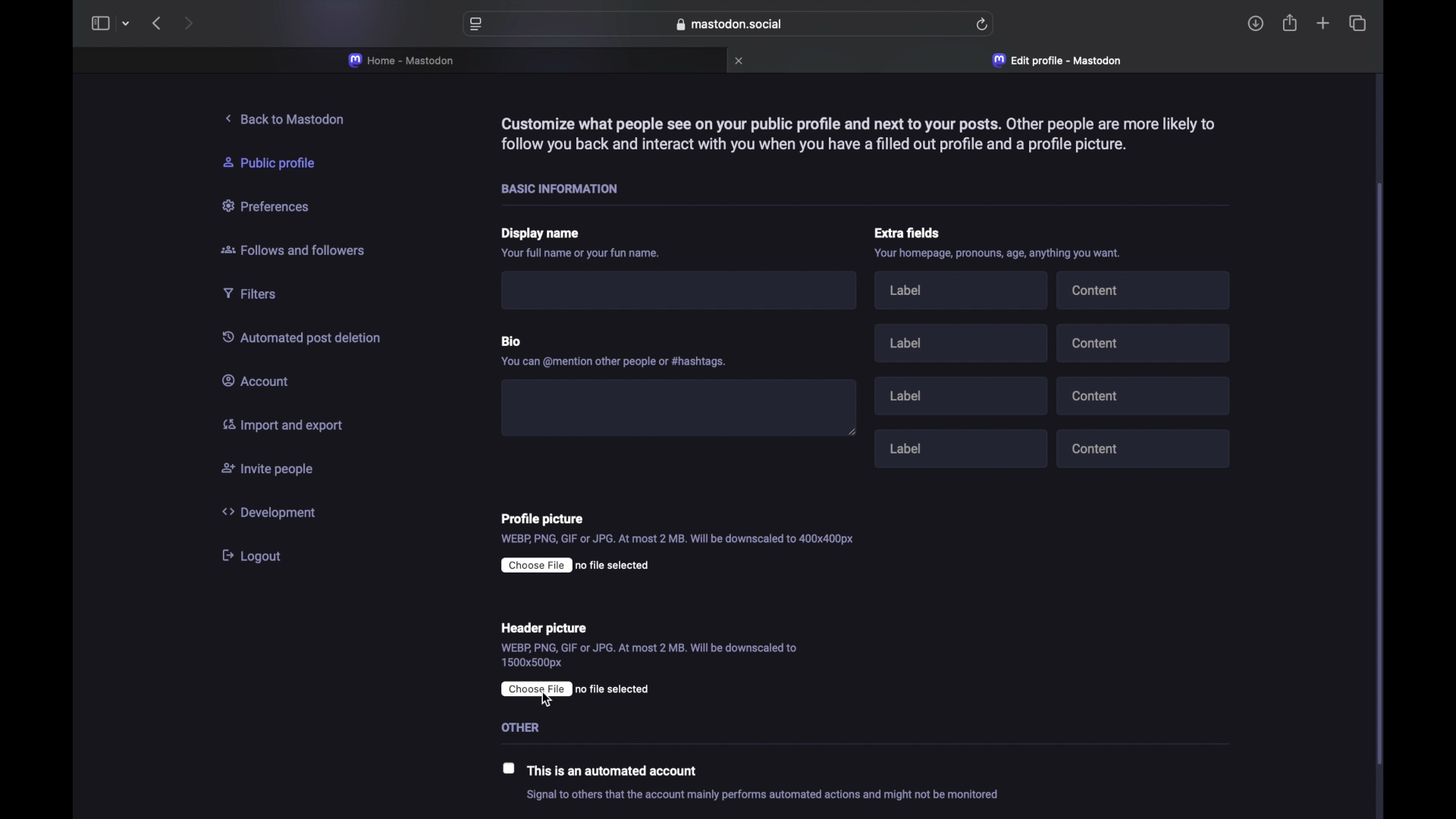 The image size is (1456, 819). What do you see at coordinates (705, 527) in the screenshot?
I see `Profile picture
'WEBP, PNG, GIF or JPG. At most 2 MB. Will be downscaled to 400x400px` at bounding box center [705, 527].